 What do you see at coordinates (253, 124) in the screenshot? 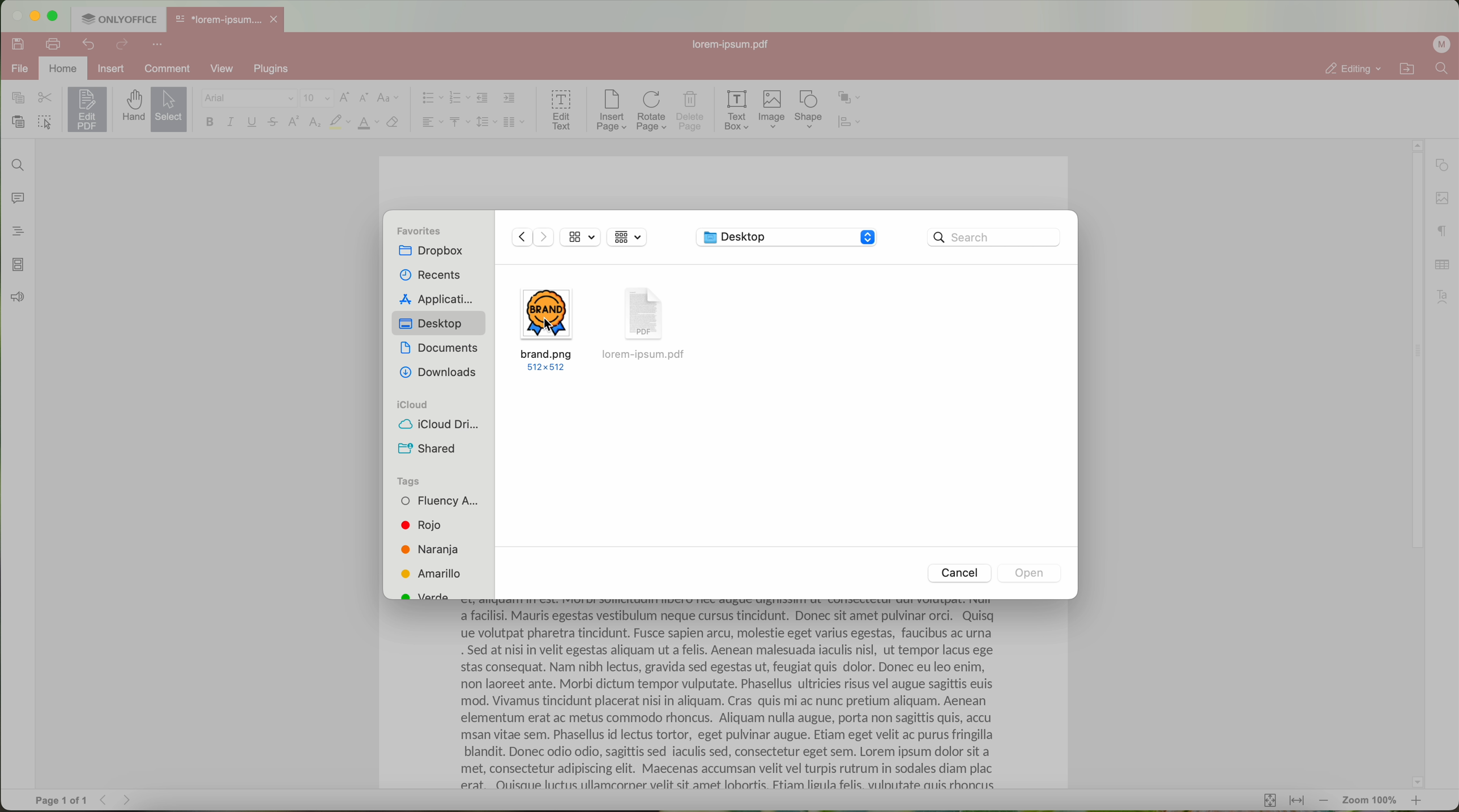
I see `underline` at bounding box center [253, 124].